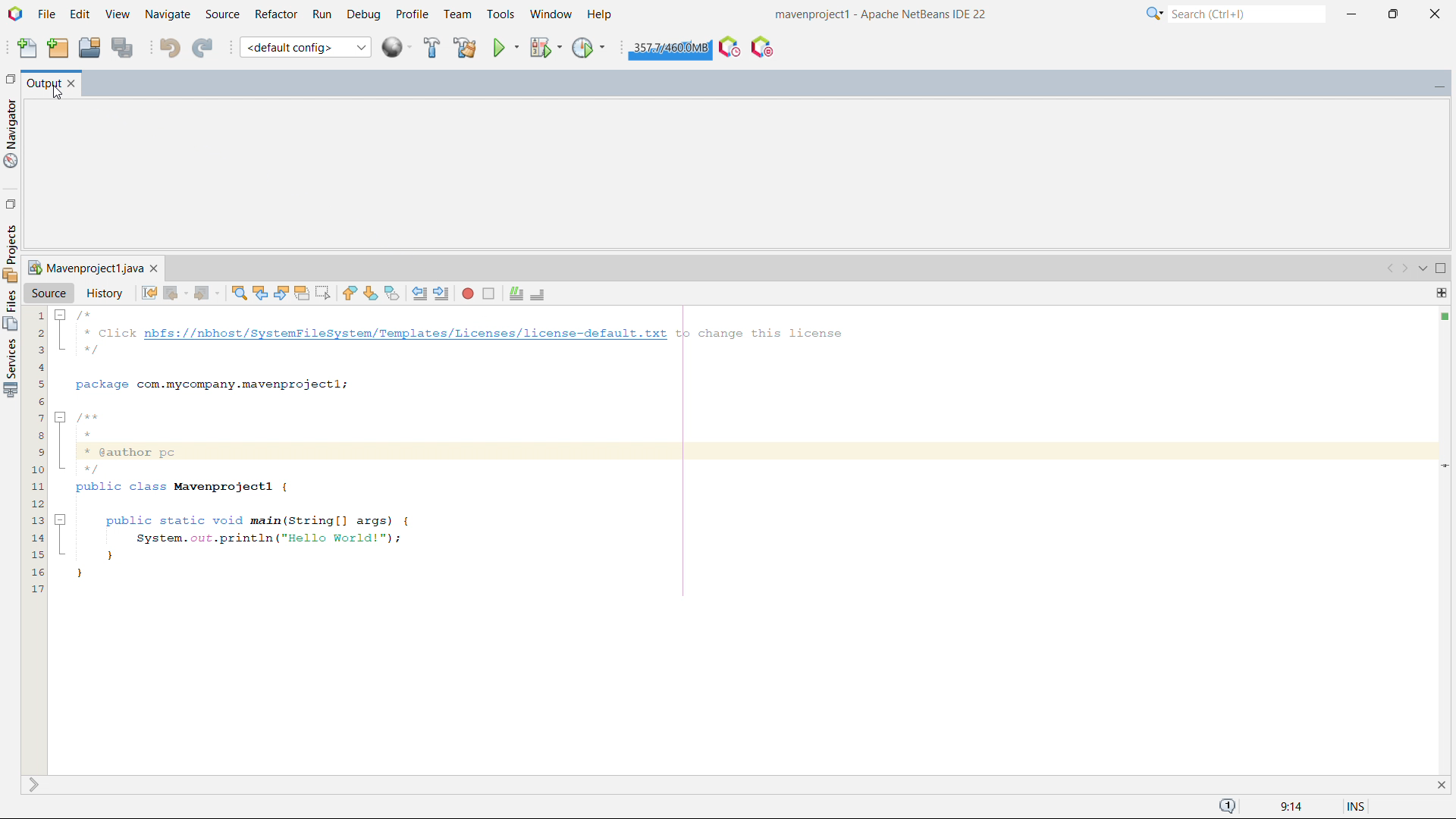 The image size is (1456, 819). What do you see at coordinates (11, 369) in the screenshot?
I see `projects` at bounding box center [11, 369].